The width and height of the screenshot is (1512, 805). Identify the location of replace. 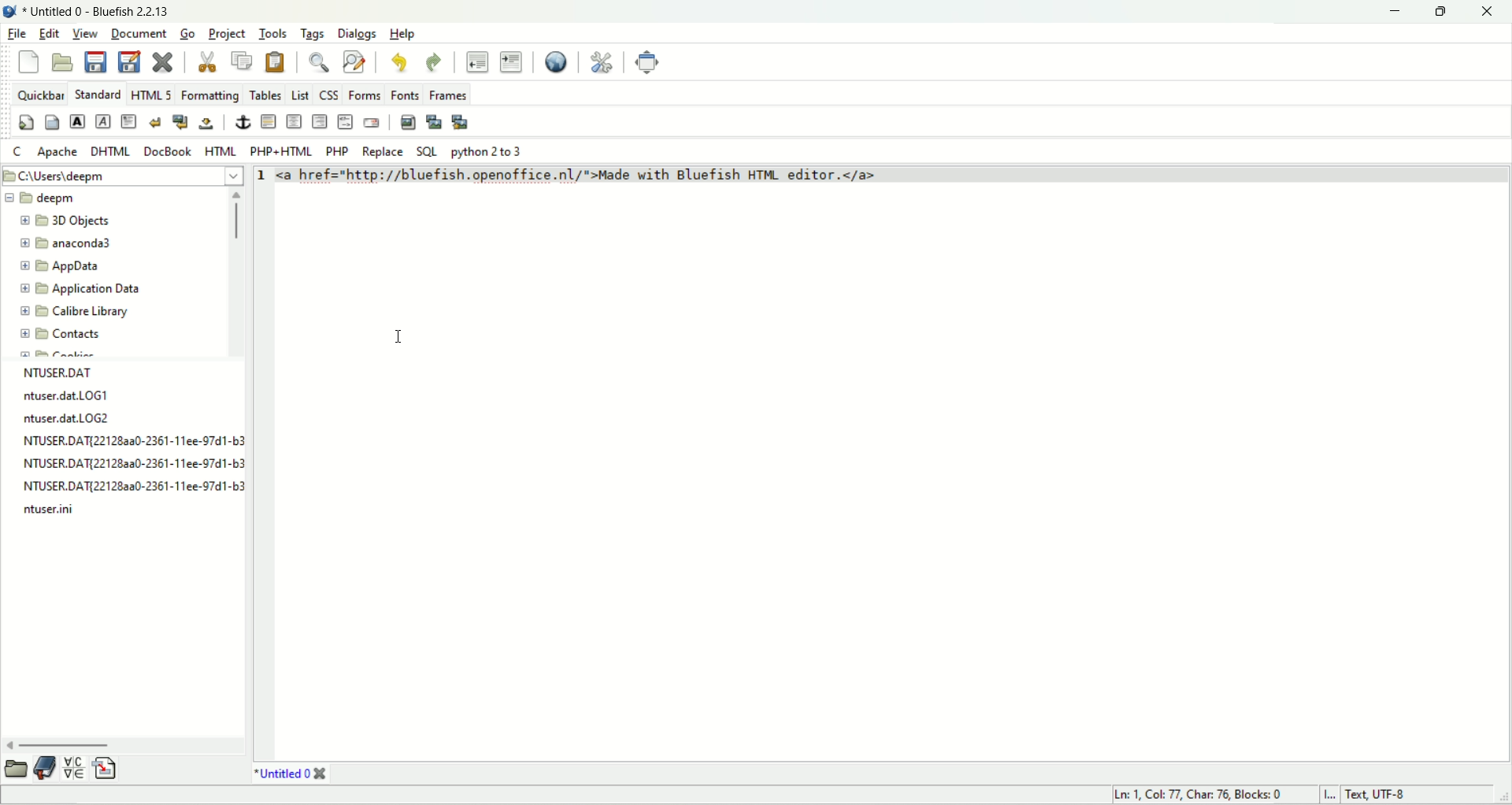
(380, 151).